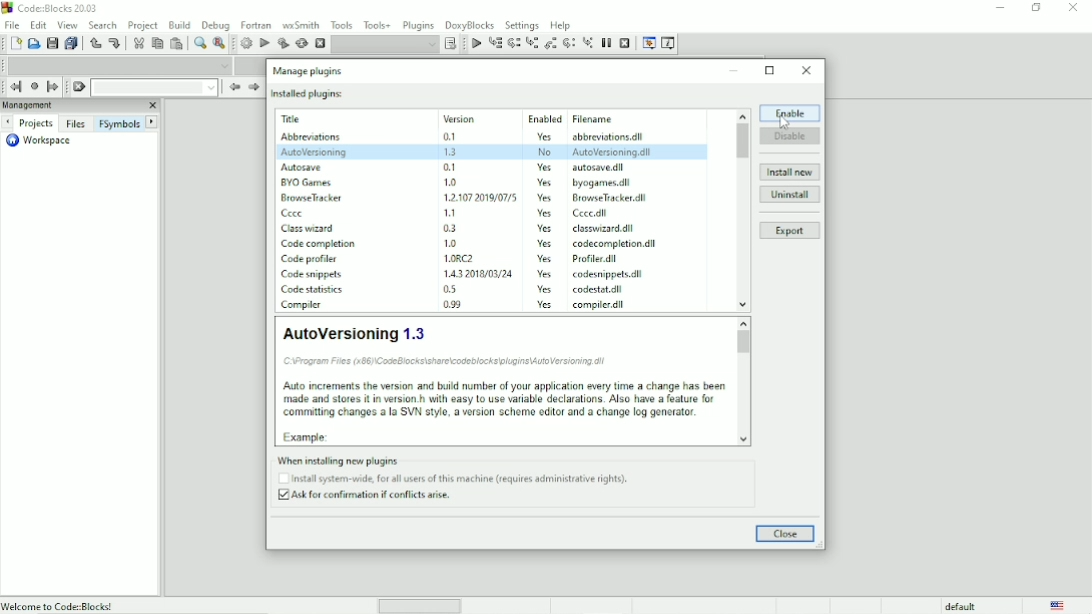  I want to click on plugin, so click(303, 165).